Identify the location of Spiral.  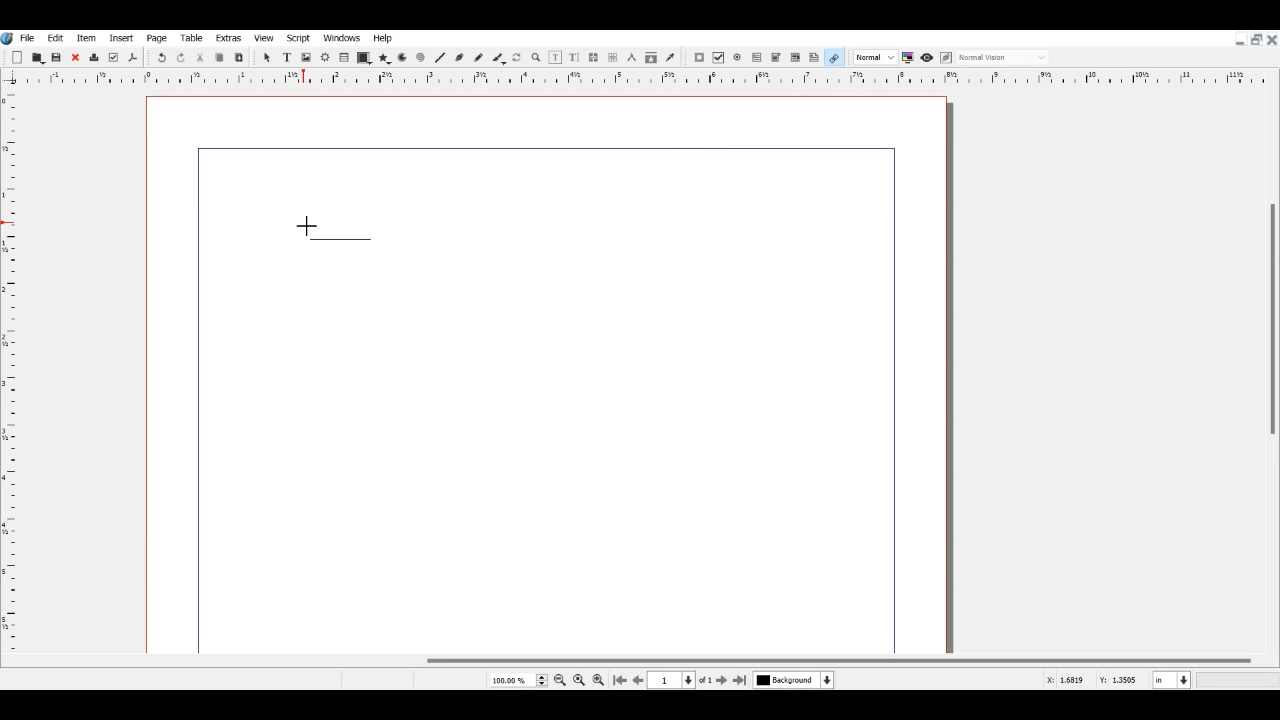
(420, 58).